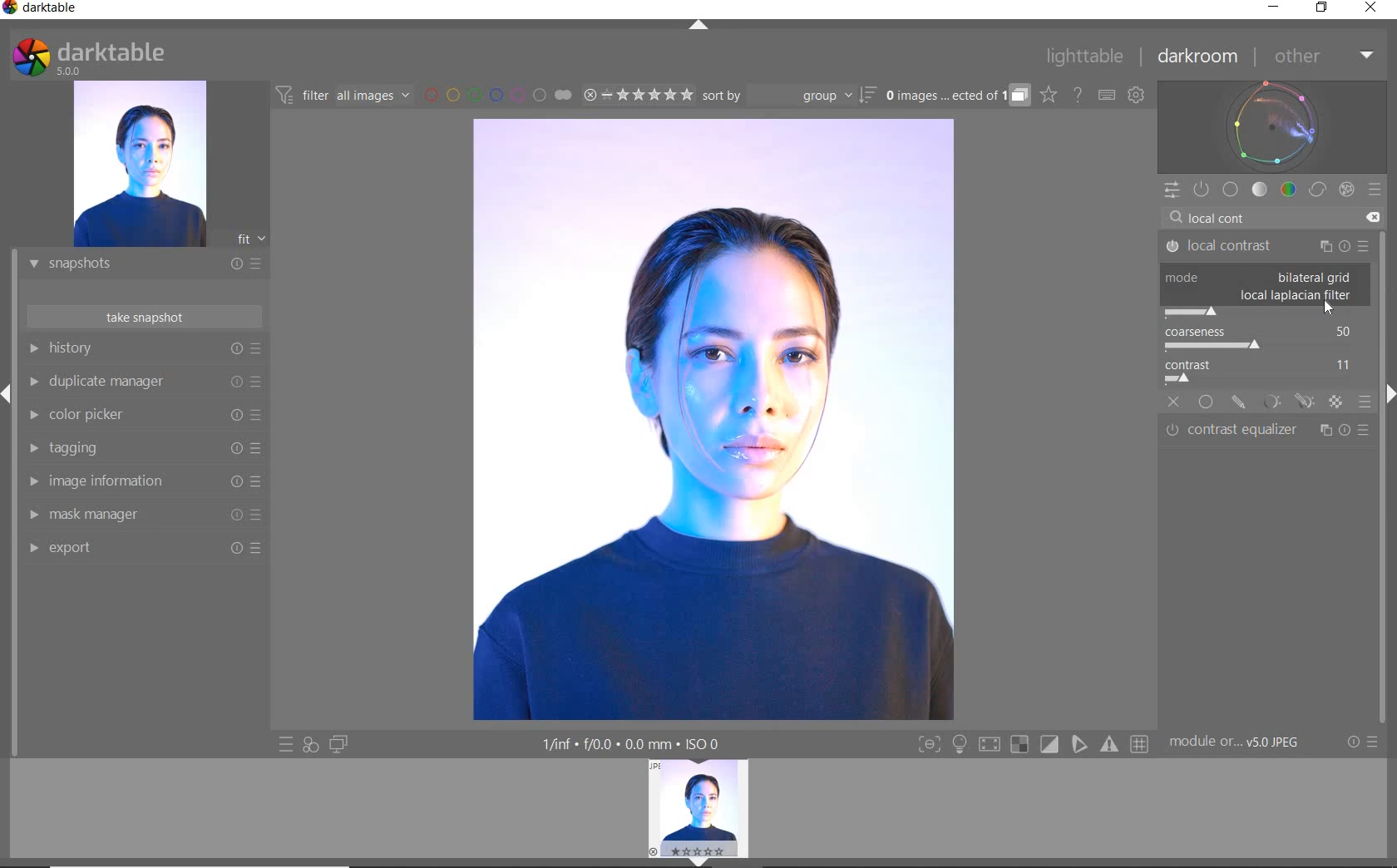  I want to click on OTHER, so click(1322, 57).